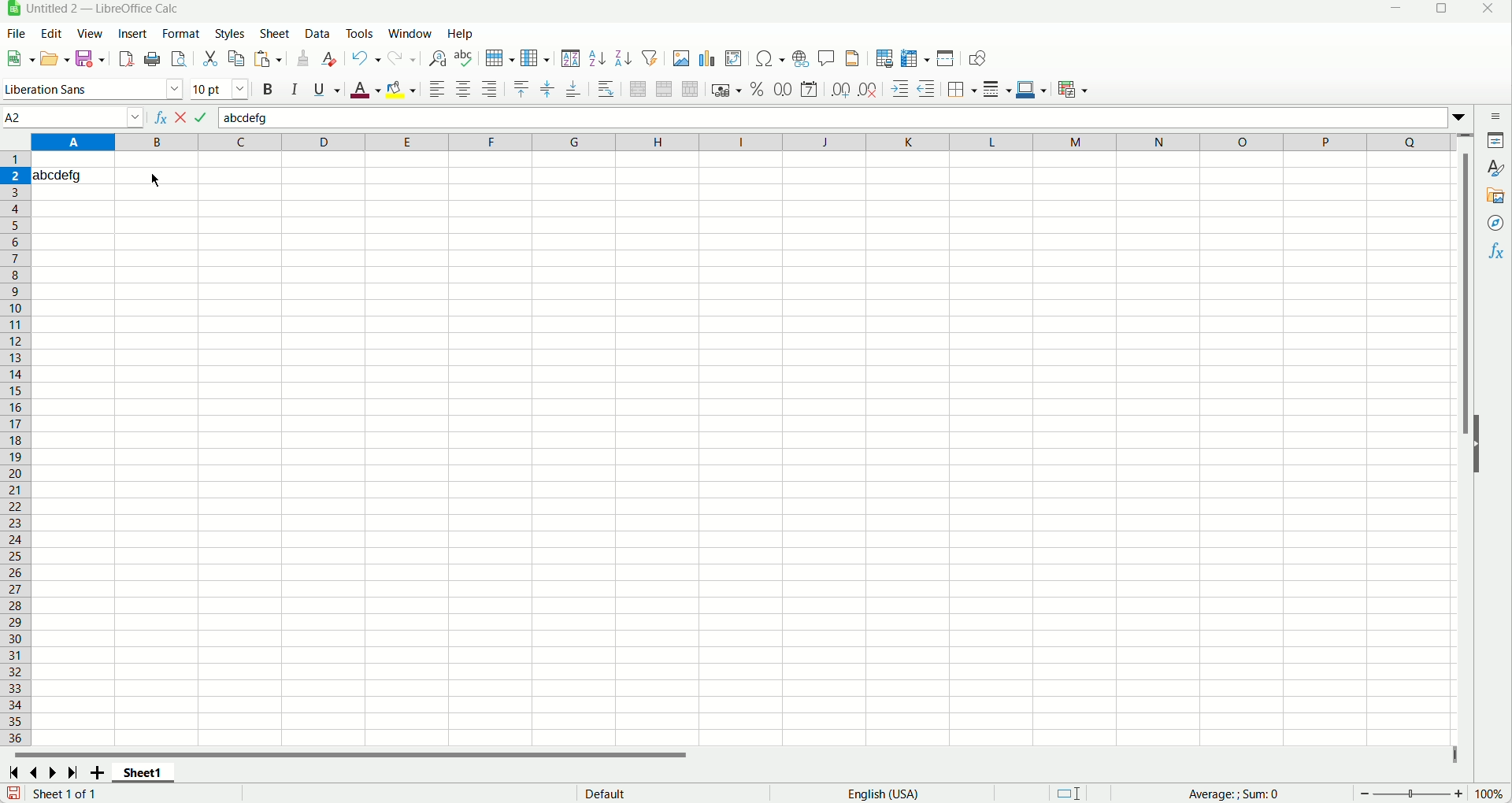  Describe the element at coordinates (1495, 197) in the screenshot. I see `gallery` at that location.